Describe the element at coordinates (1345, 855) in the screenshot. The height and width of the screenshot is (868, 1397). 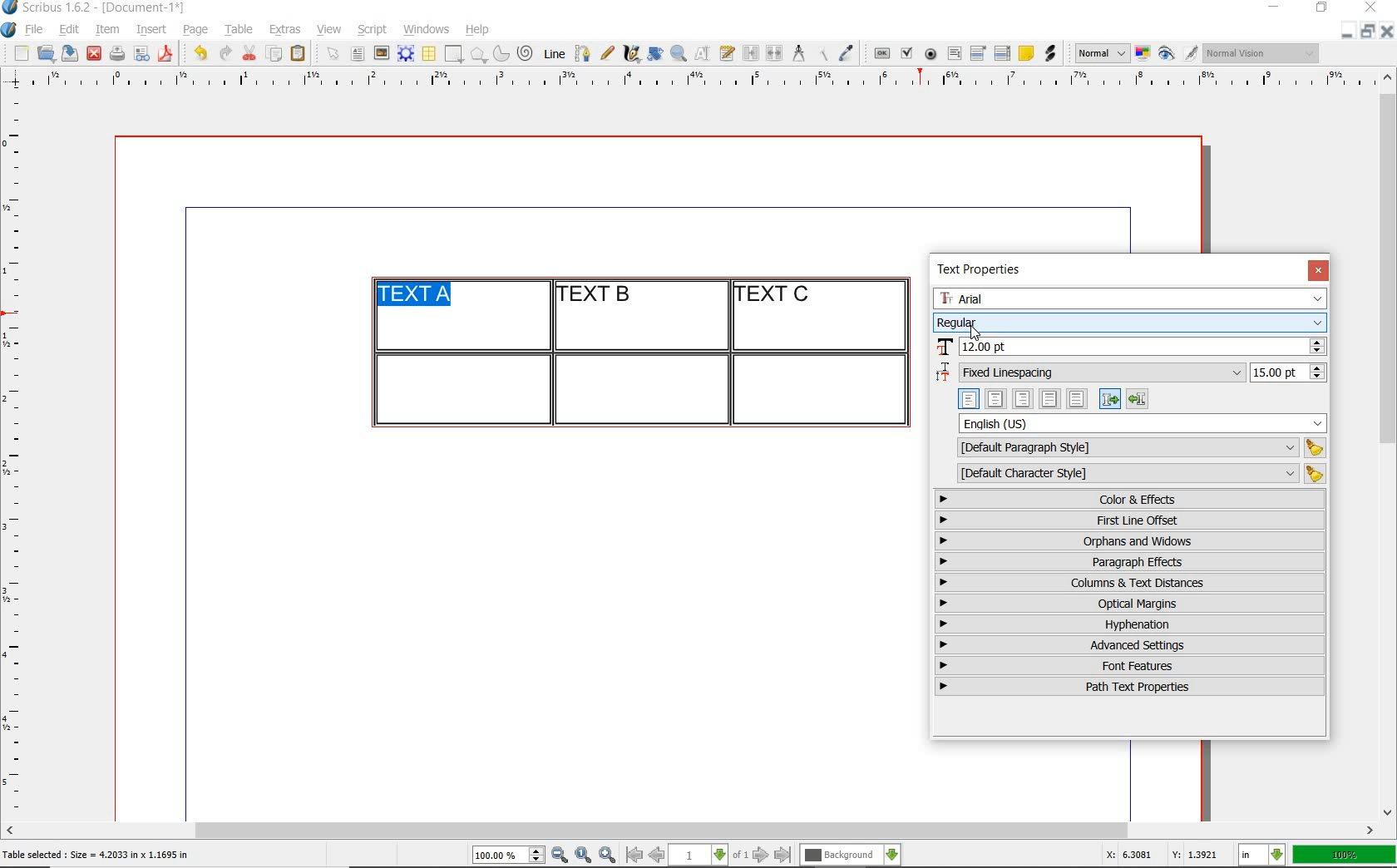
I see `100%` at that location.